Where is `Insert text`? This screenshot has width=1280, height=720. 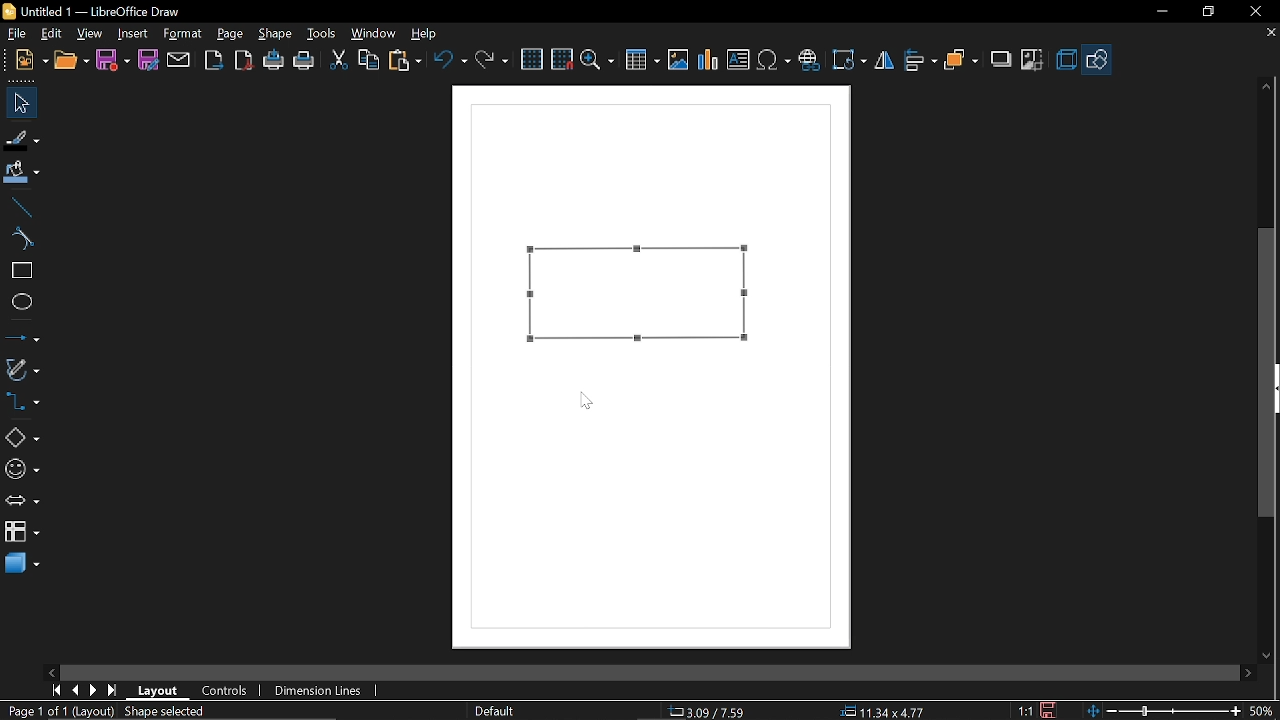
Insert text is located at coordinates (738, 57).